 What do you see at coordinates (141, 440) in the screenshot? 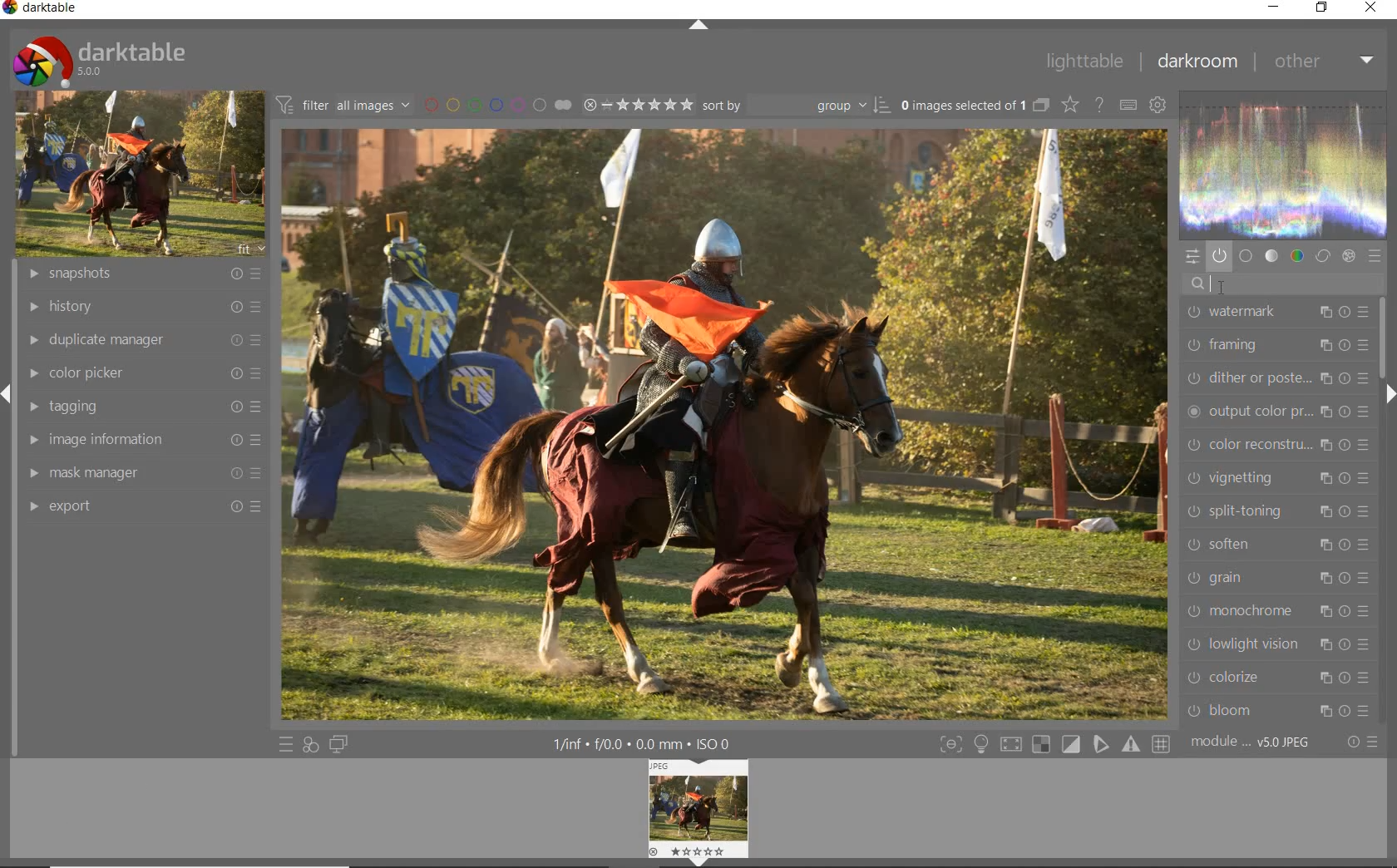
I see `image information` at bounding box center [141, 440].